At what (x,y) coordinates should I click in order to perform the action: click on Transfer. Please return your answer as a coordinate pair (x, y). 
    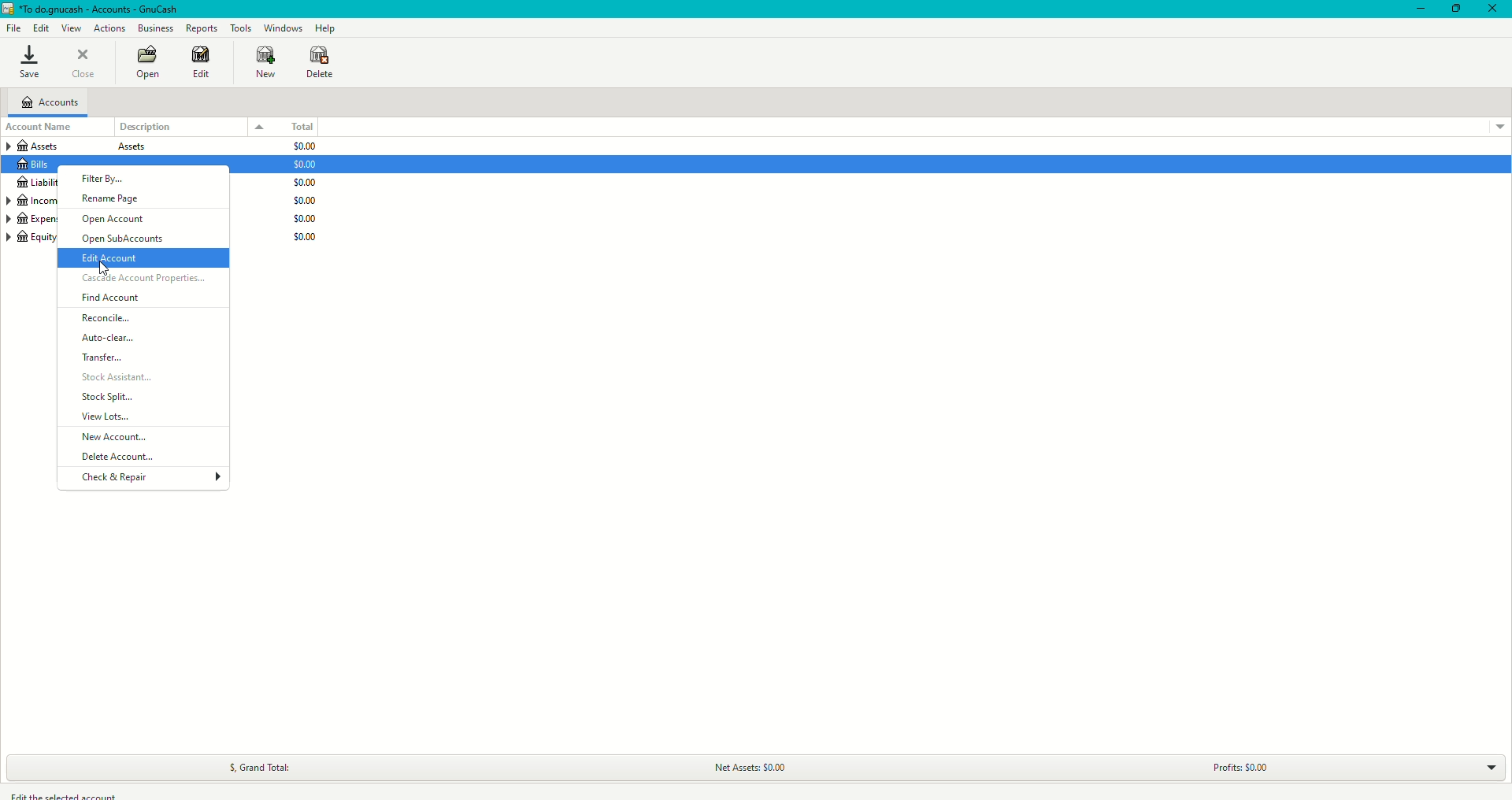
    Looking at the image, I should click on (102, 358).